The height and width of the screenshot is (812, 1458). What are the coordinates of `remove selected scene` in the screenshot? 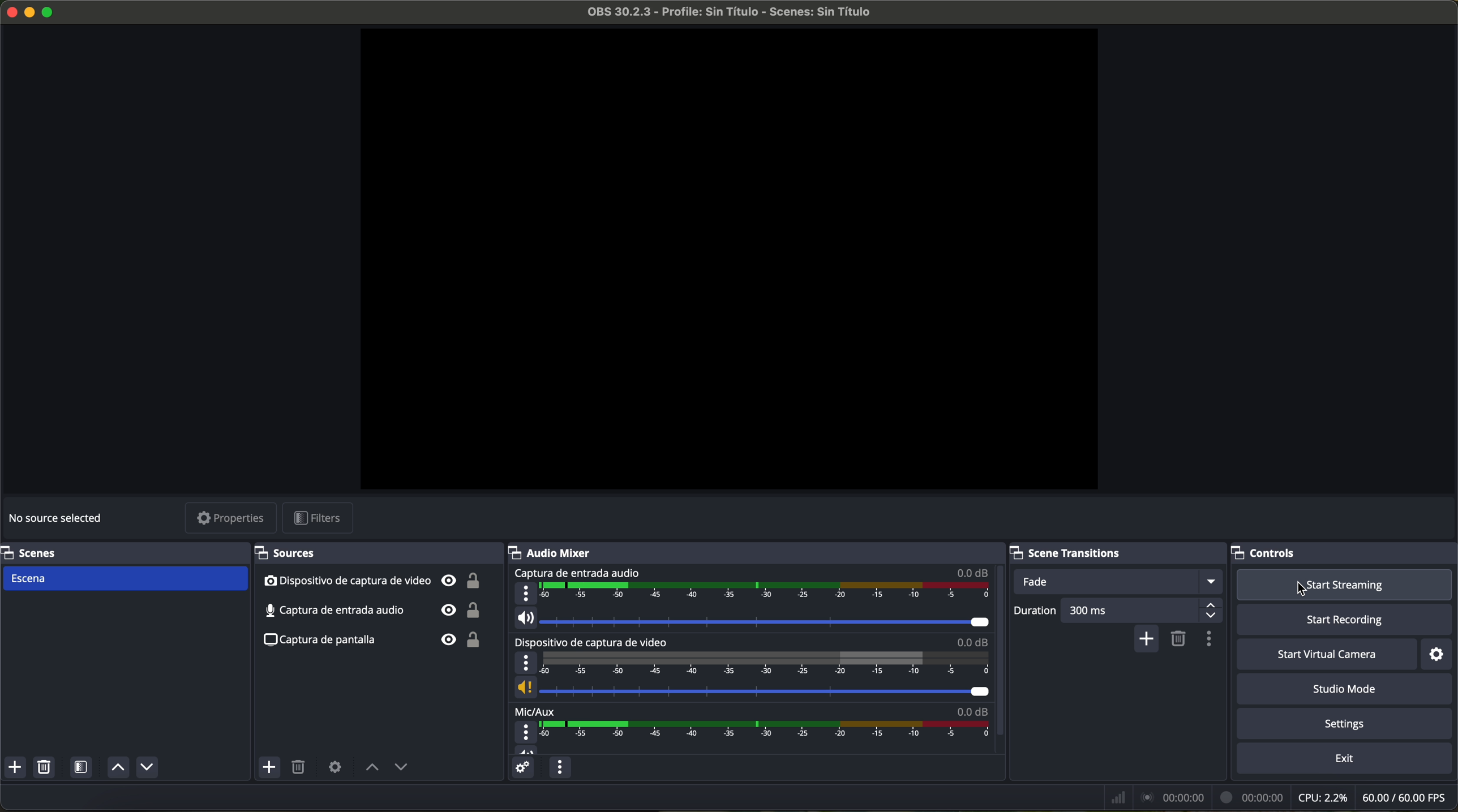 It's located at (46, 769).